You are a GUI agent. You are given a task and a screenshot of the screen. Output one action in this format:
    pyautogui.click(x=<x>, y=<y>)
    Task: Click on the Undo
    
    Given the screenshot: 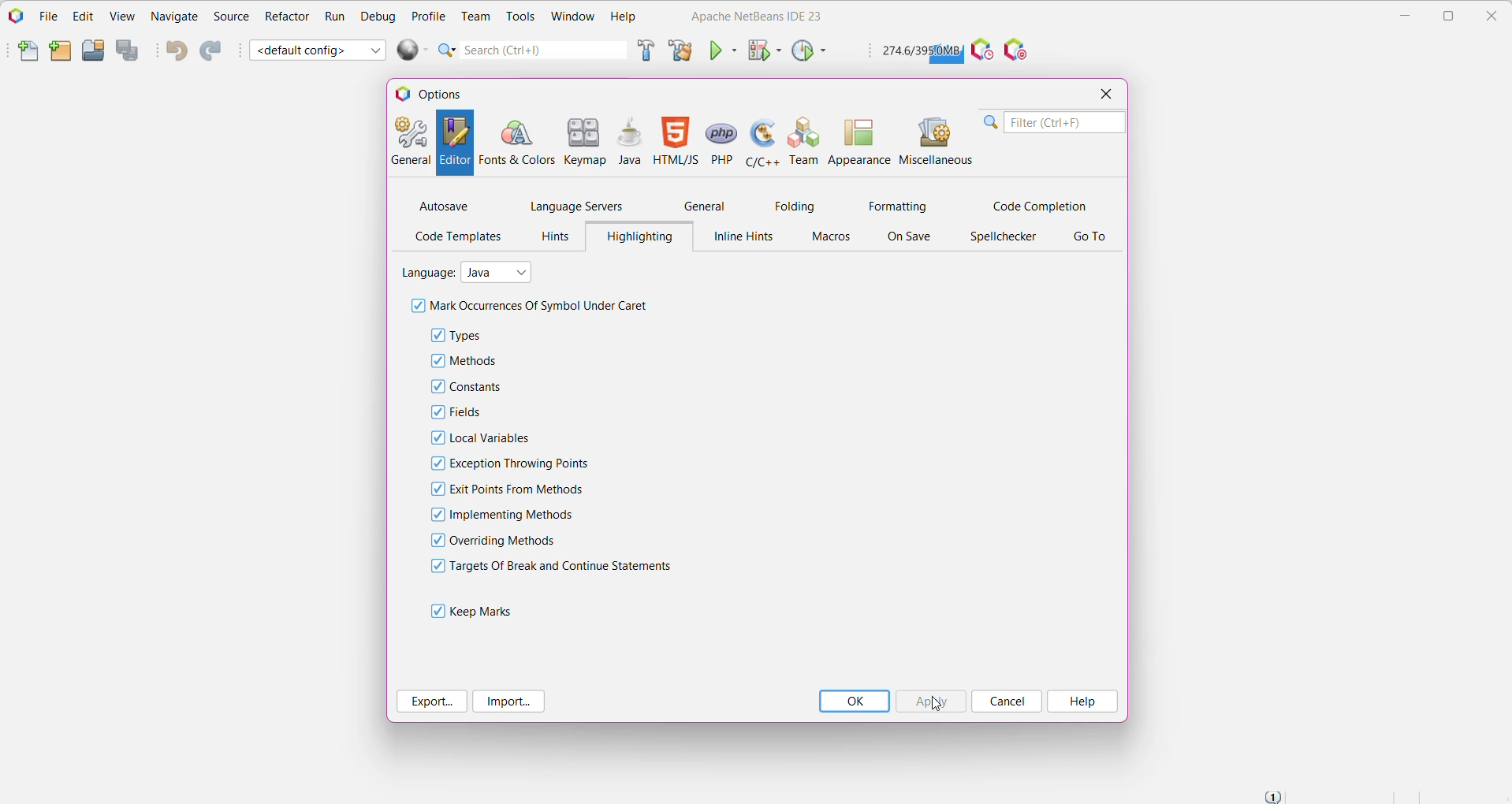 What is the action you would take?
    pyautogui.click(x=174, y=51)
    